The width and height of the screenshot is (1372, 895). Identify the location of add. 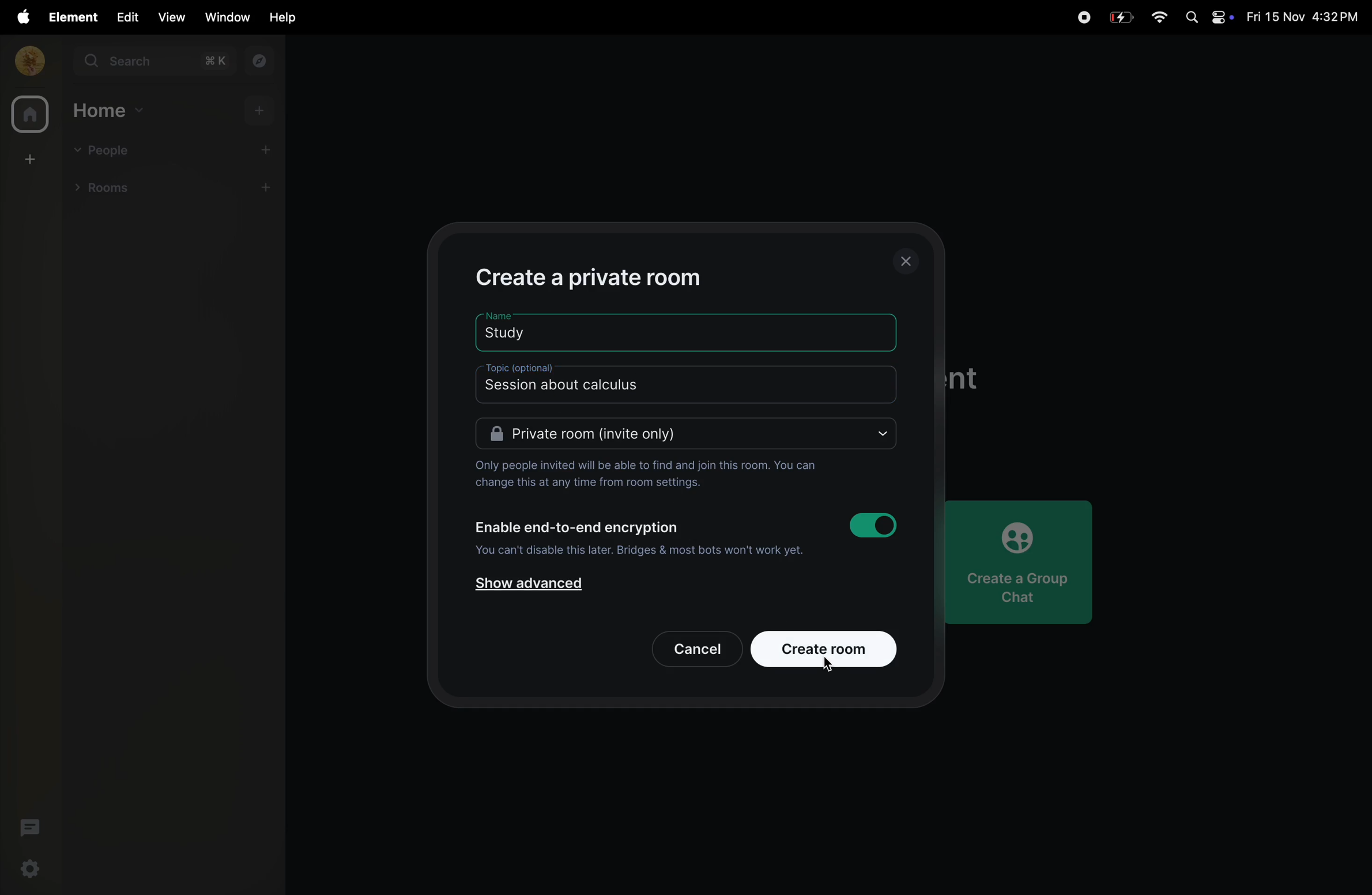
(261, 112).